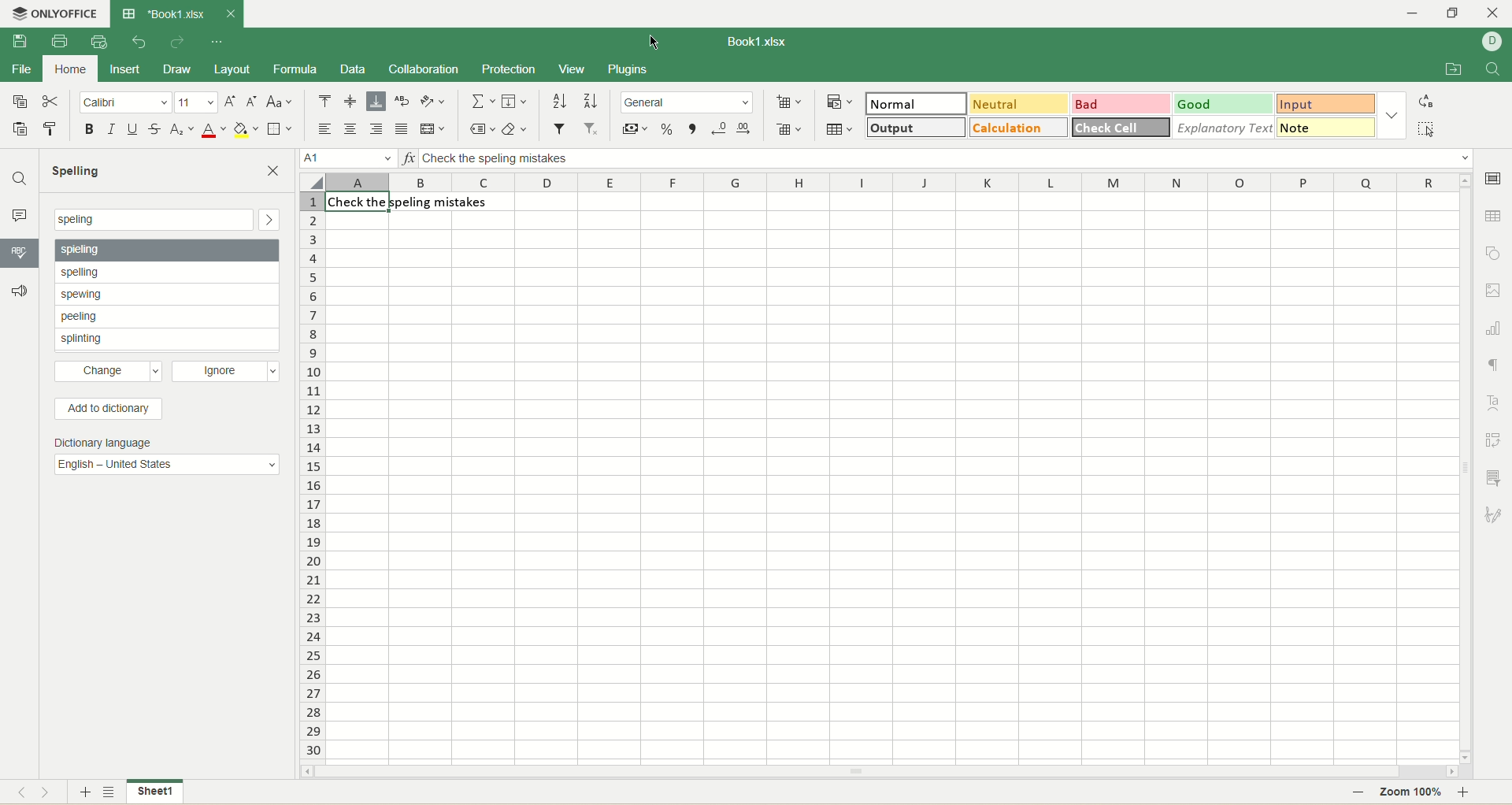  What do you see at coordinates (1468, 469) in the screenshot?
I see `vertical scroll bar` at bounding box center [1468, 469].